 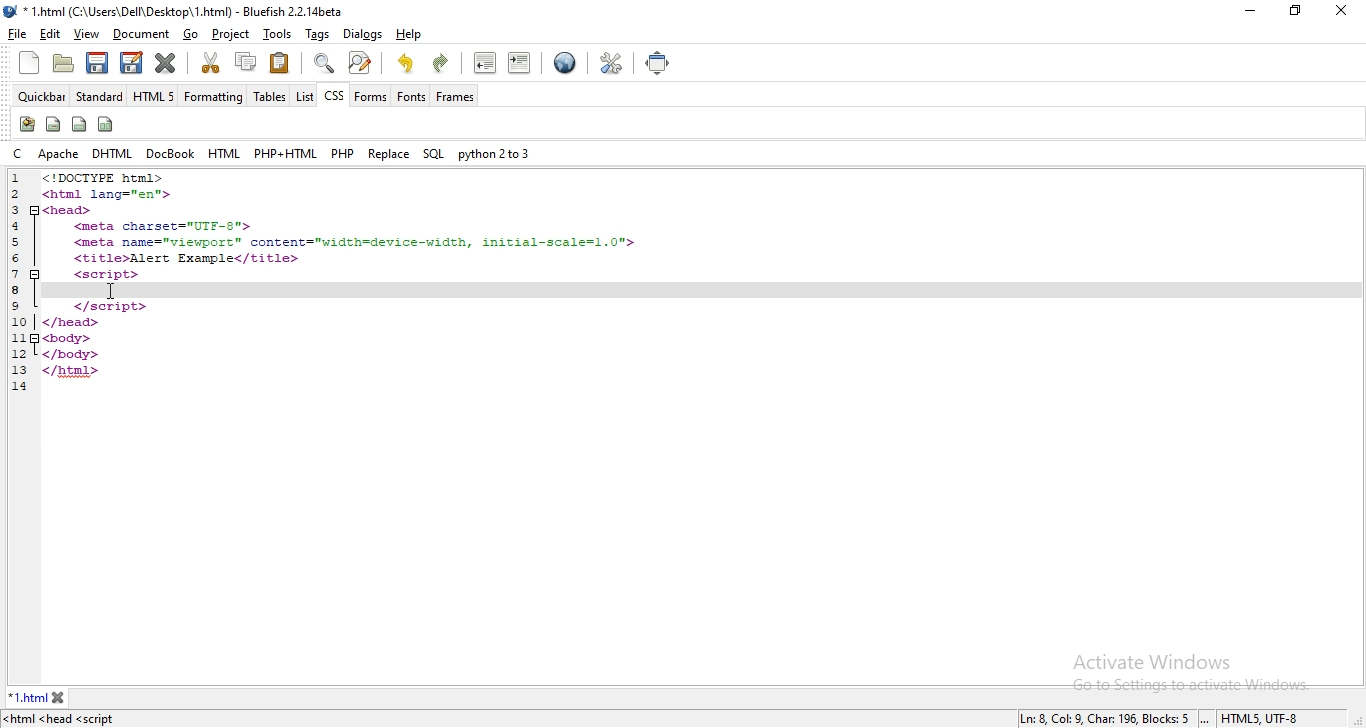 What do you see at coordinates (73, 323) in the screenshot?
I see `</head>` at bounding box center [73, 323].